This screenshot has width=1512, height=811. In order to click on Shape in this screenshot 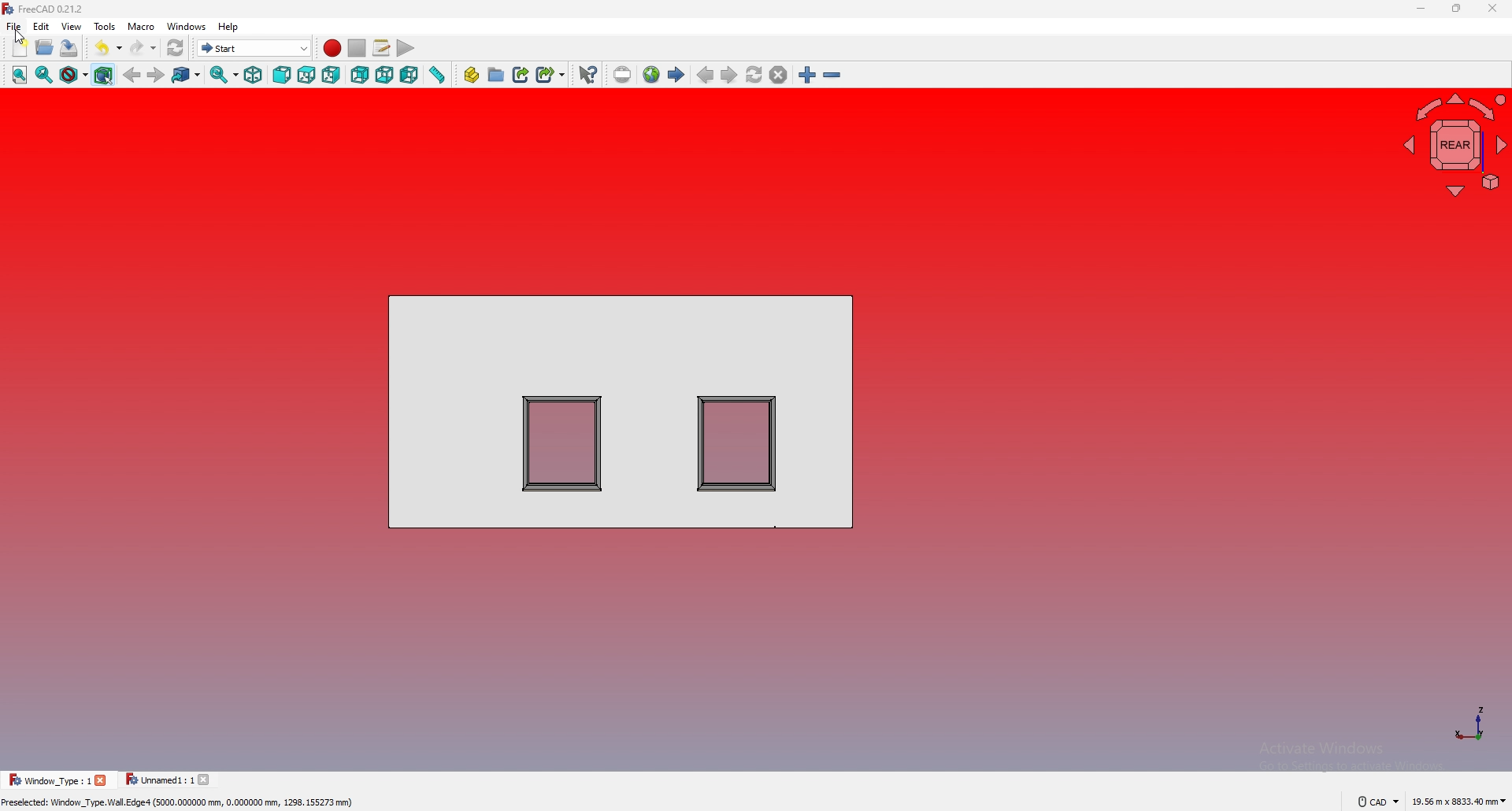, I will do `click(622, 409)`.